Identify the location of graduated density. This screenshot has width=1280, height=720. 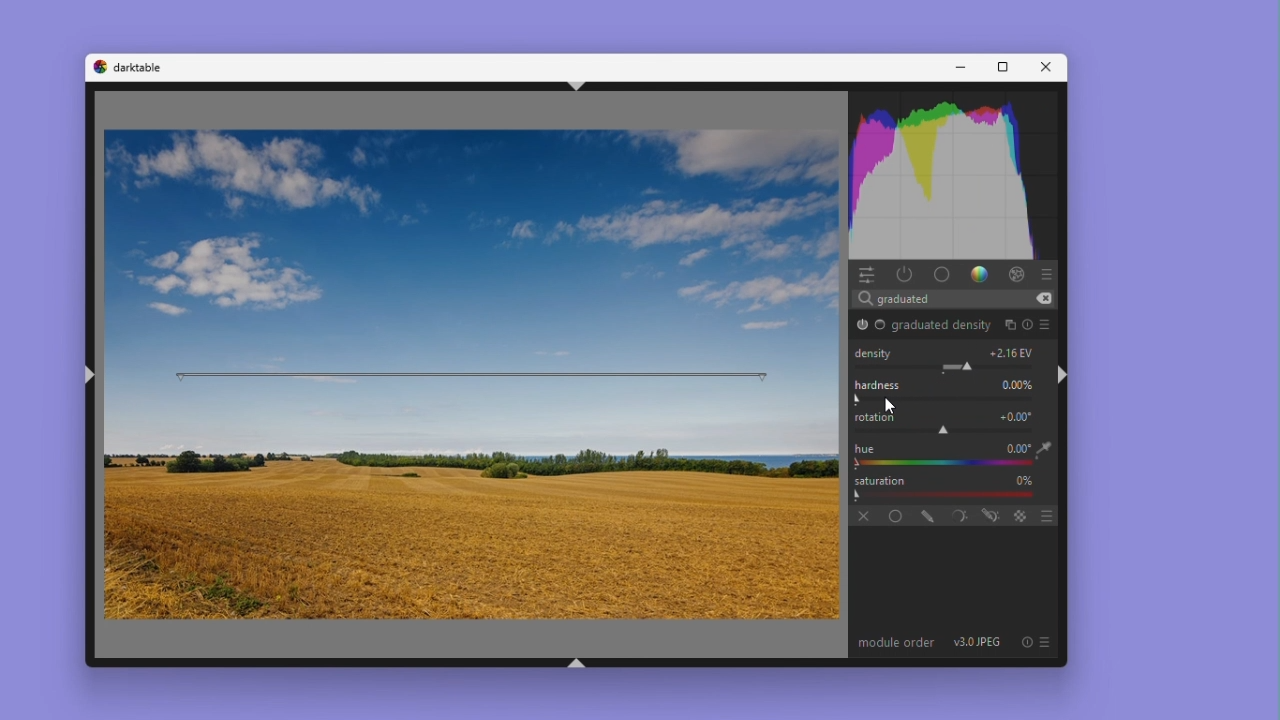
(862, 324).